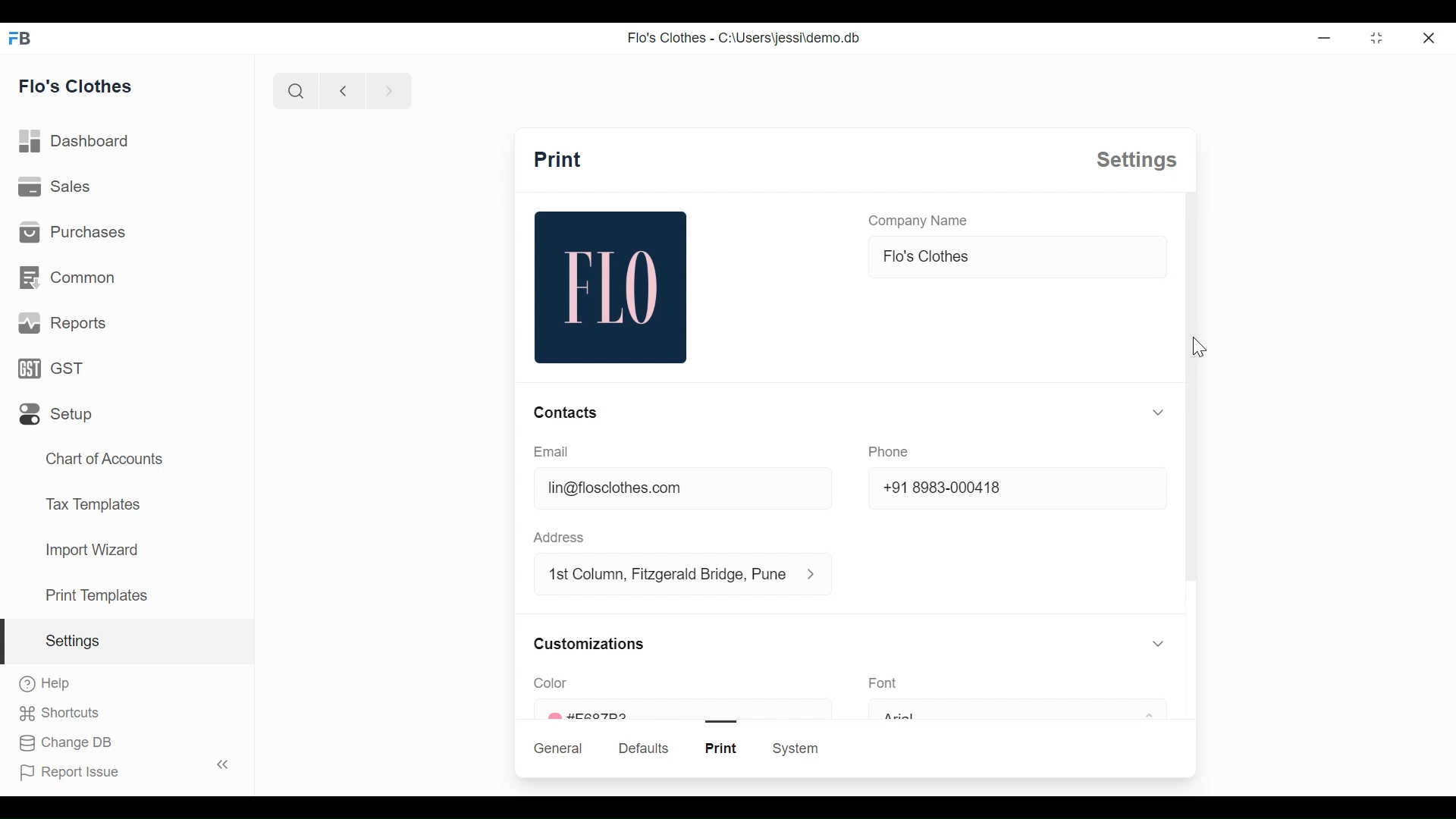  What do you see at coordinates (745, 37) in the screenshot?
I see `Flo's Clothes - C:\Users\jessi\demo.db` at bounding box center [745, 37].